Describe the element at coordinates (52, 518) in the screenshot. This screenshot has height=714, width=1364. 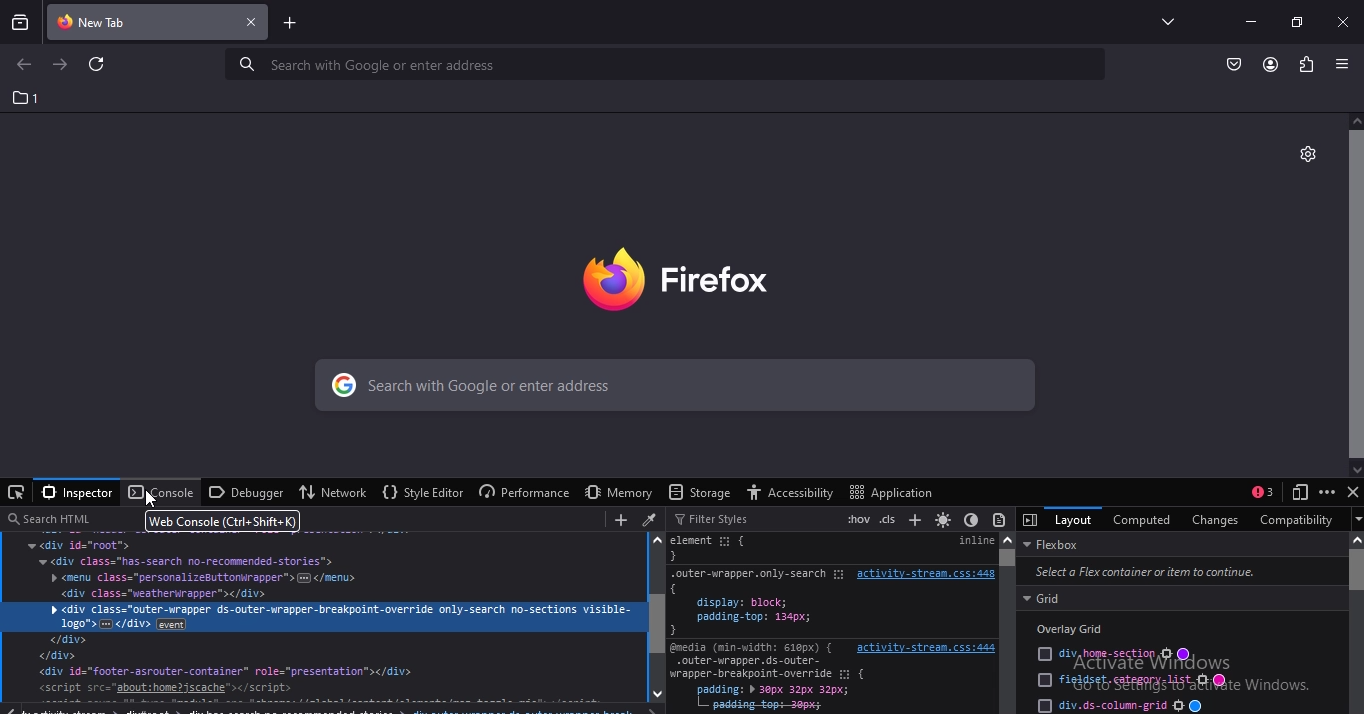
I see `search html` at that location.